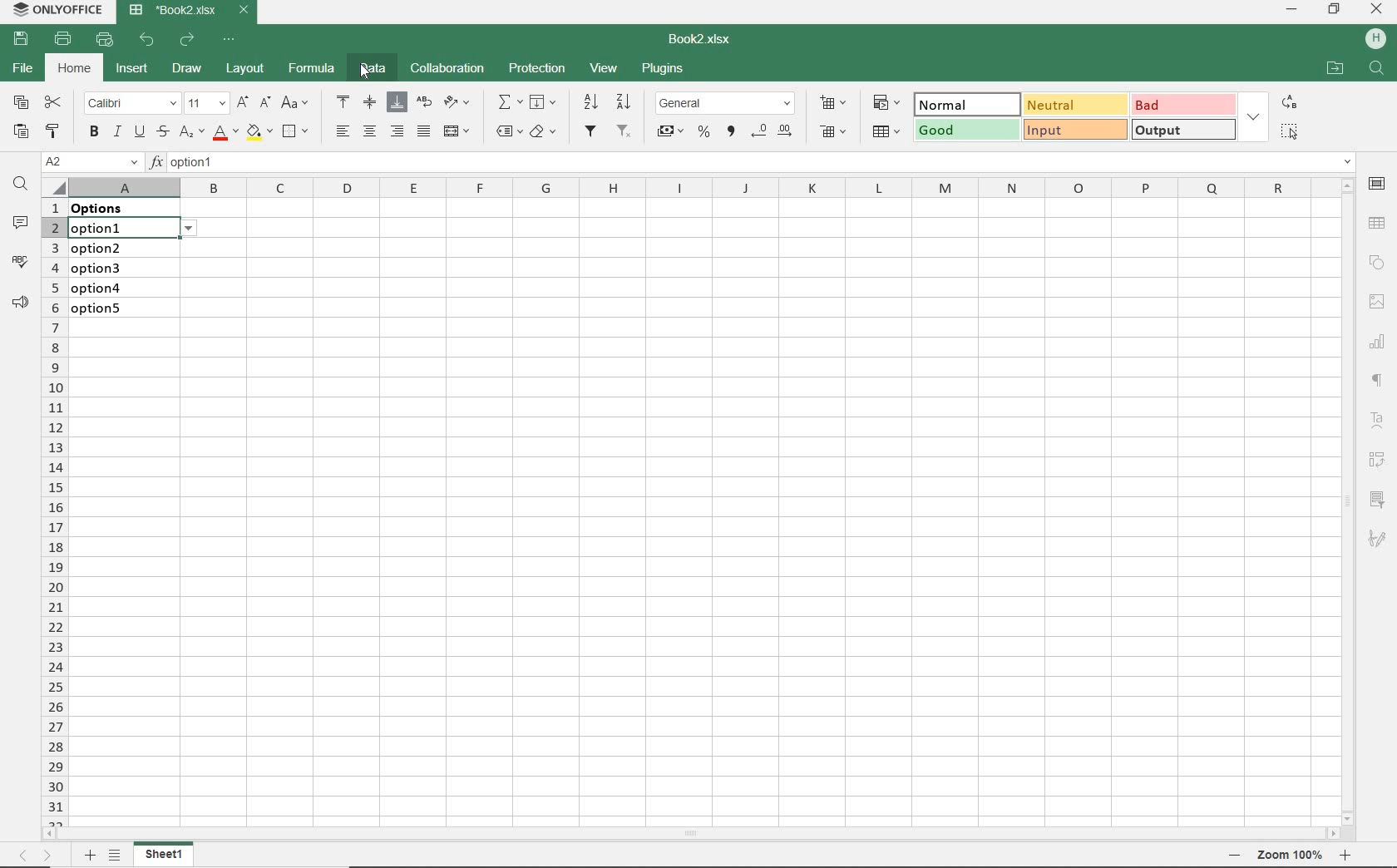 This screenshot has width=1397, height=868. What do you see at coordinates (396, 102) in the screenshot?
I see `ALIGN BOTTOM` at bounding box center [396, 102].